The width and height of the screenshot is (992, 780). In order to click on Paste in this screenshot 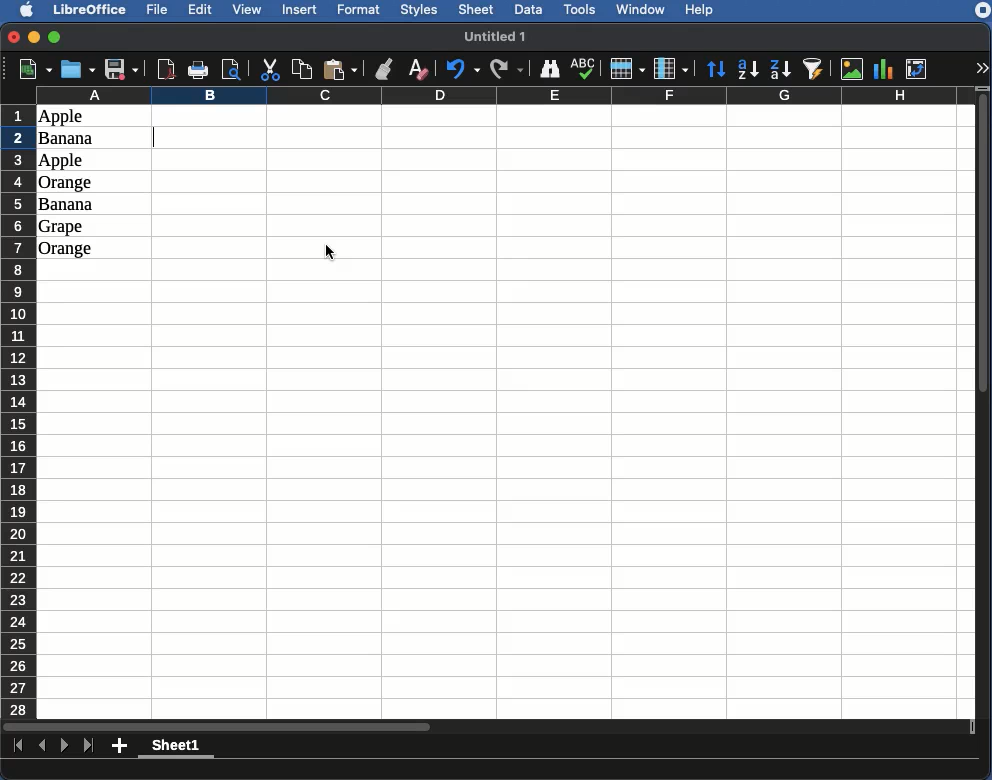, I will do `click(342, 69)`.